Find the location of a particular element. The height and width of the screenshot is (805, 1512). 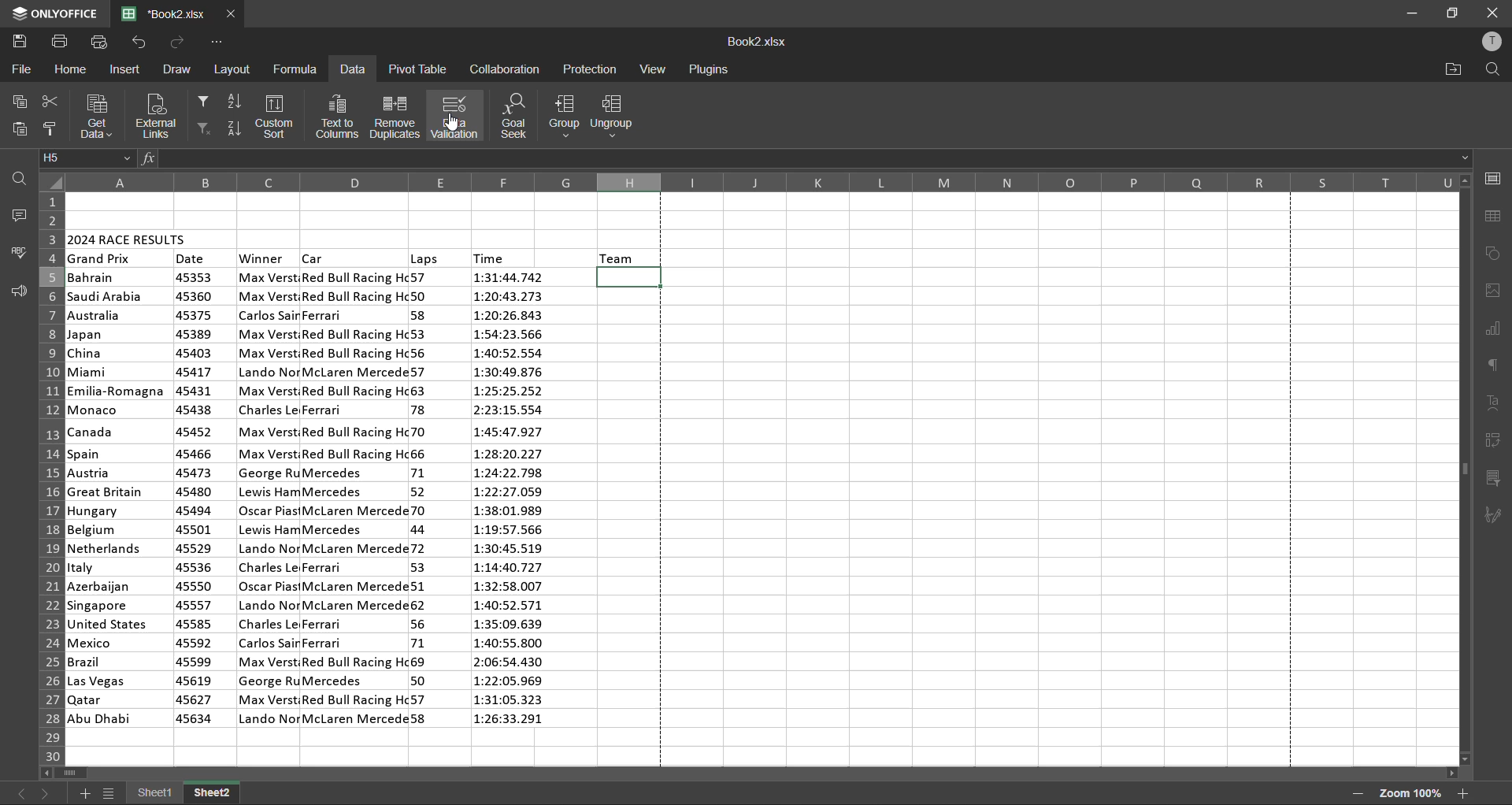

2024 race results is located at coordinates (129, 237).